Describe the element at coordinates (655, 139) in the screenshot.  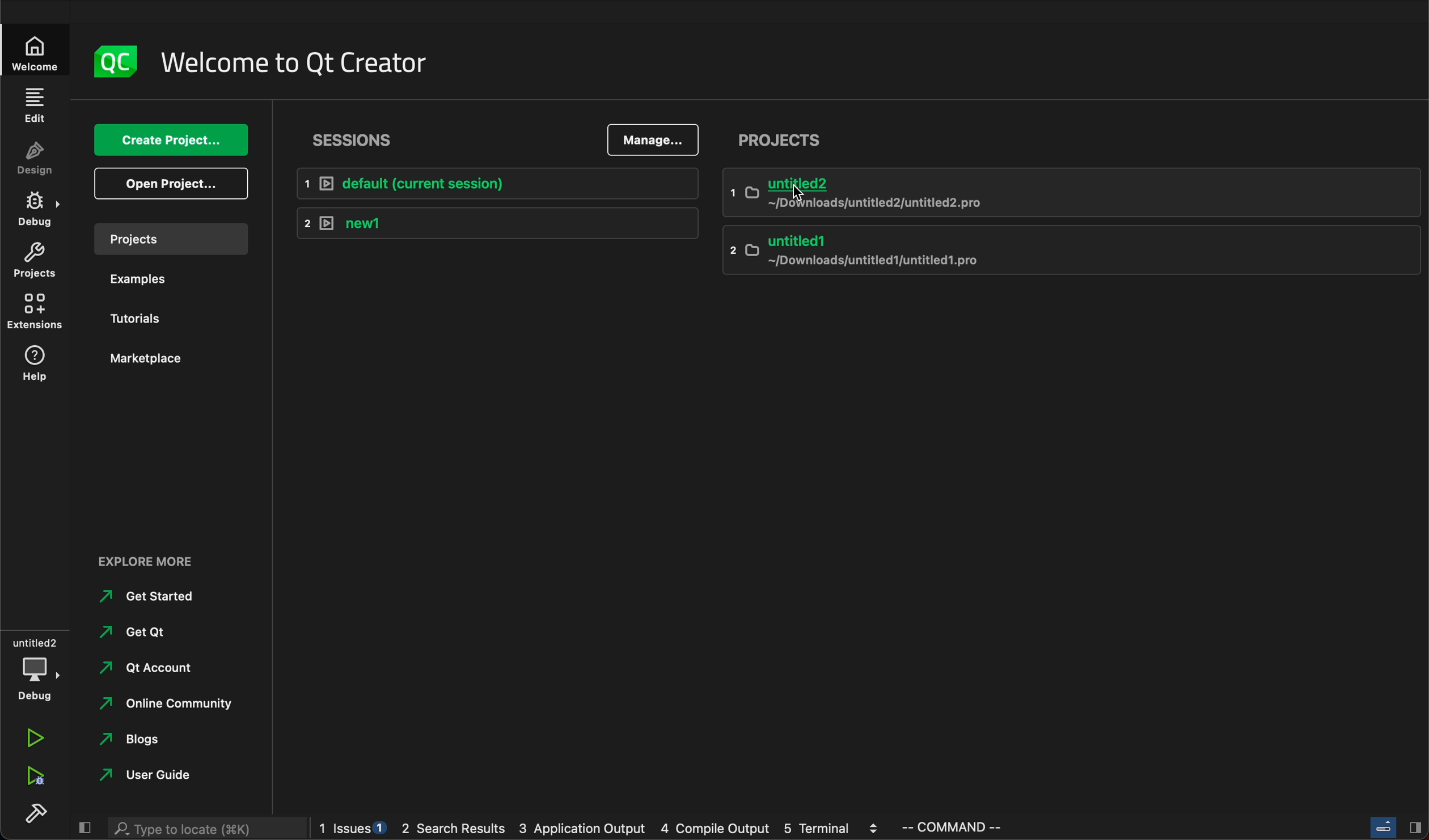
I see `manage` at that location.